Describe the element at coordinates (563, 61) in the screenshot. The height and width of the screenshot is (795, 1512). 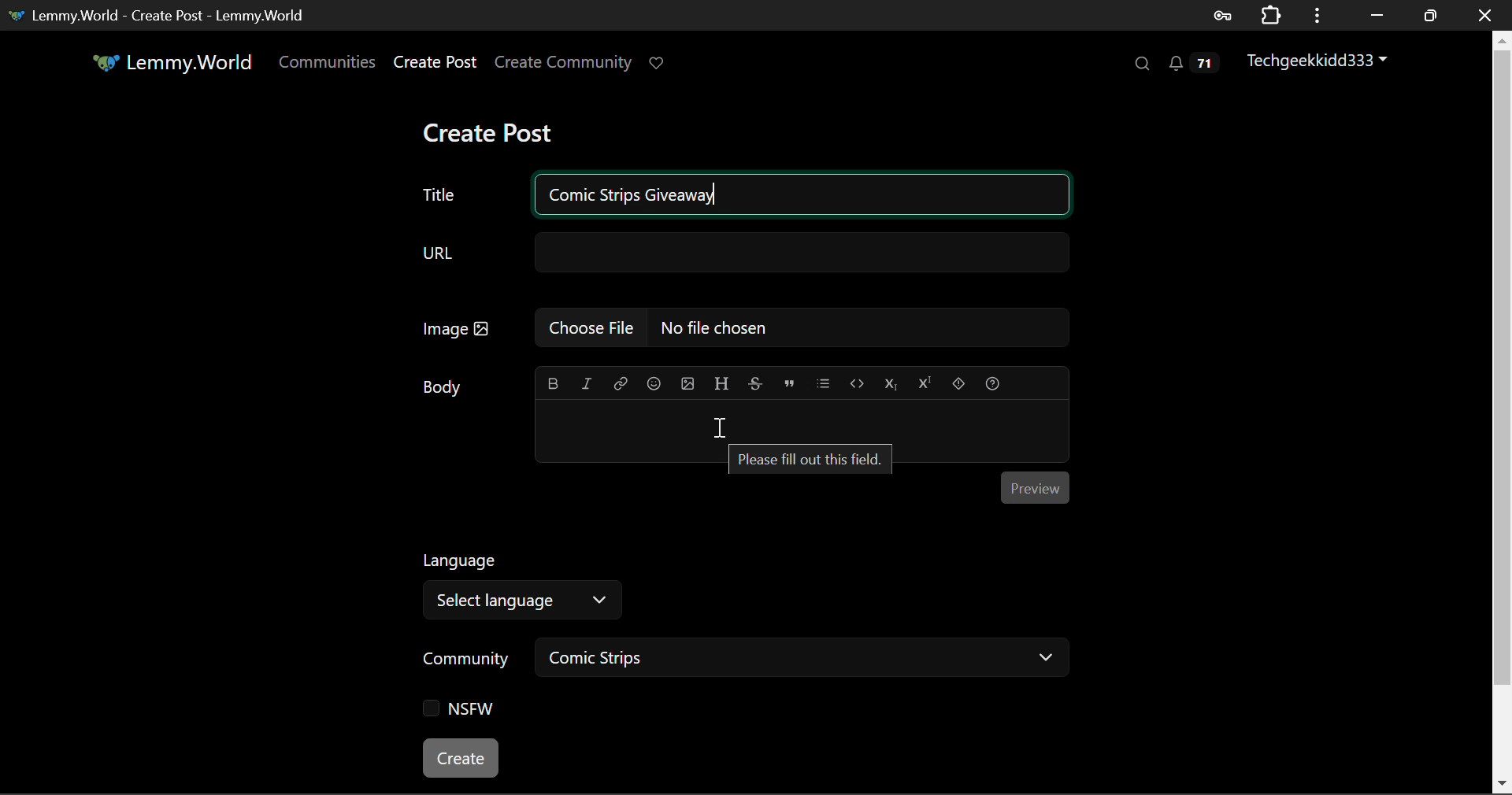
I see `Create Community` at that location.